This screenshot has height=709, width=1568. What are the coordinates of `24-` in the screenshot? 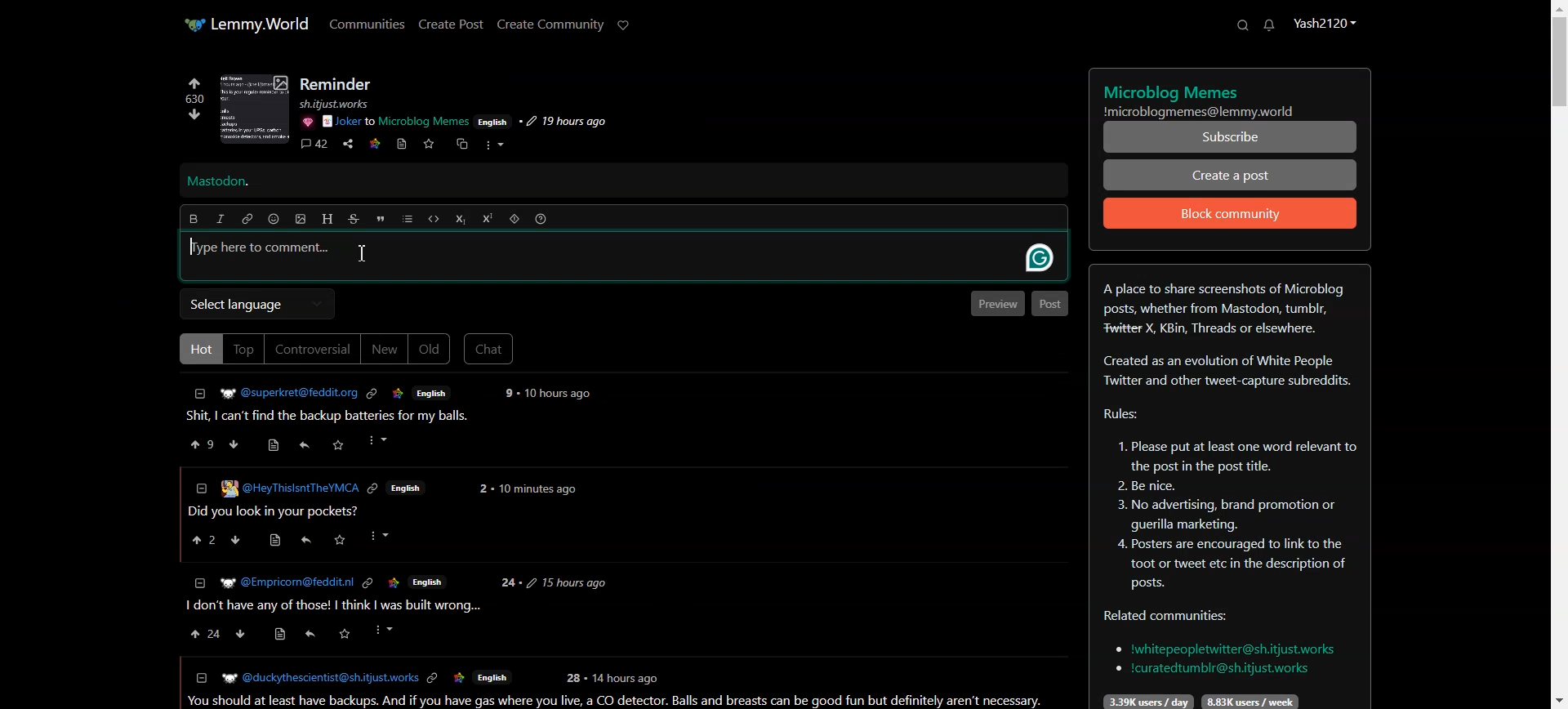 It's located at (508, 583).